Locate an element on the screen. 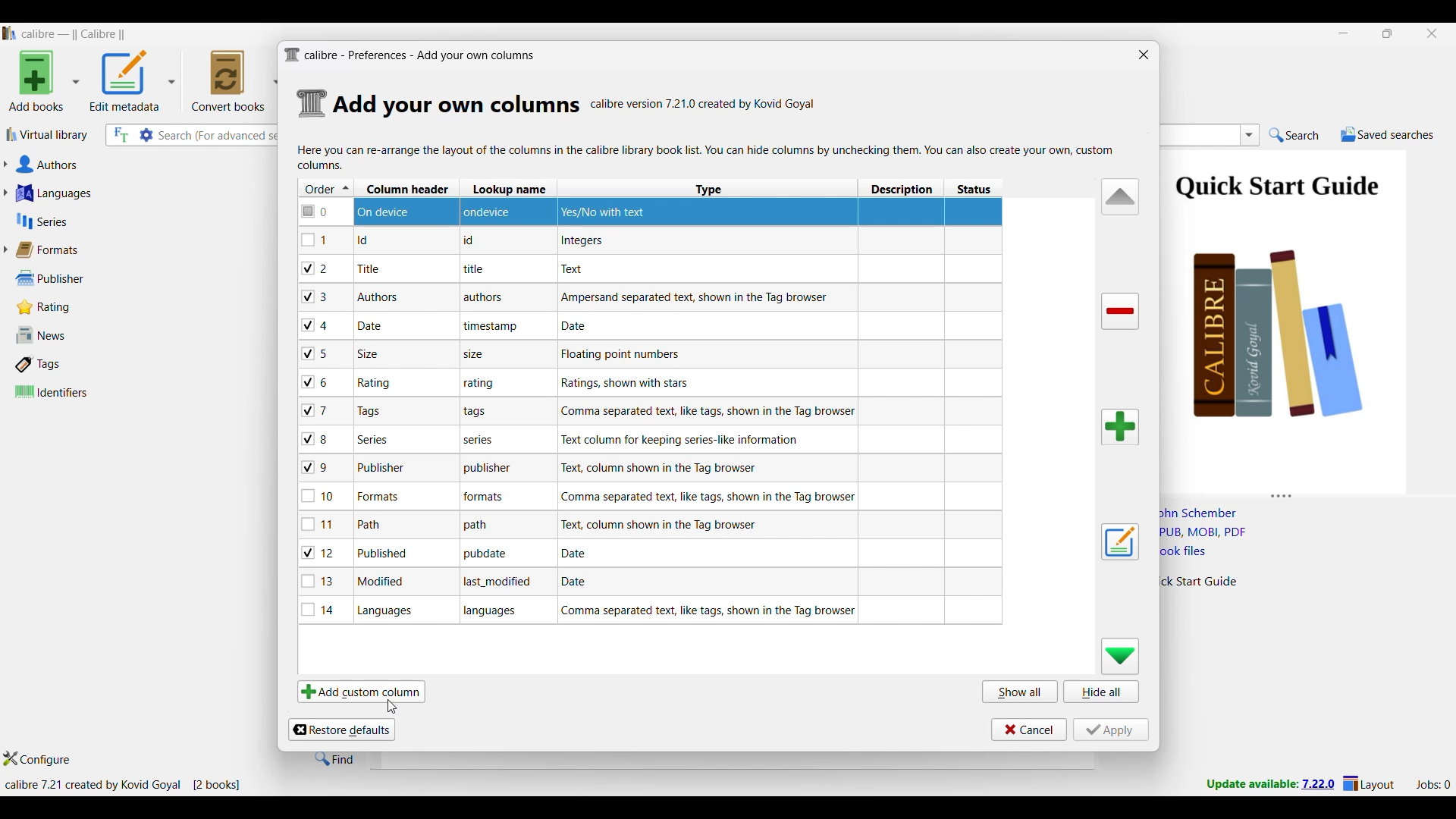 This screenshot has height=819, width=1456. Show interface in a smaller tab is located at coordinates (1389, 33).